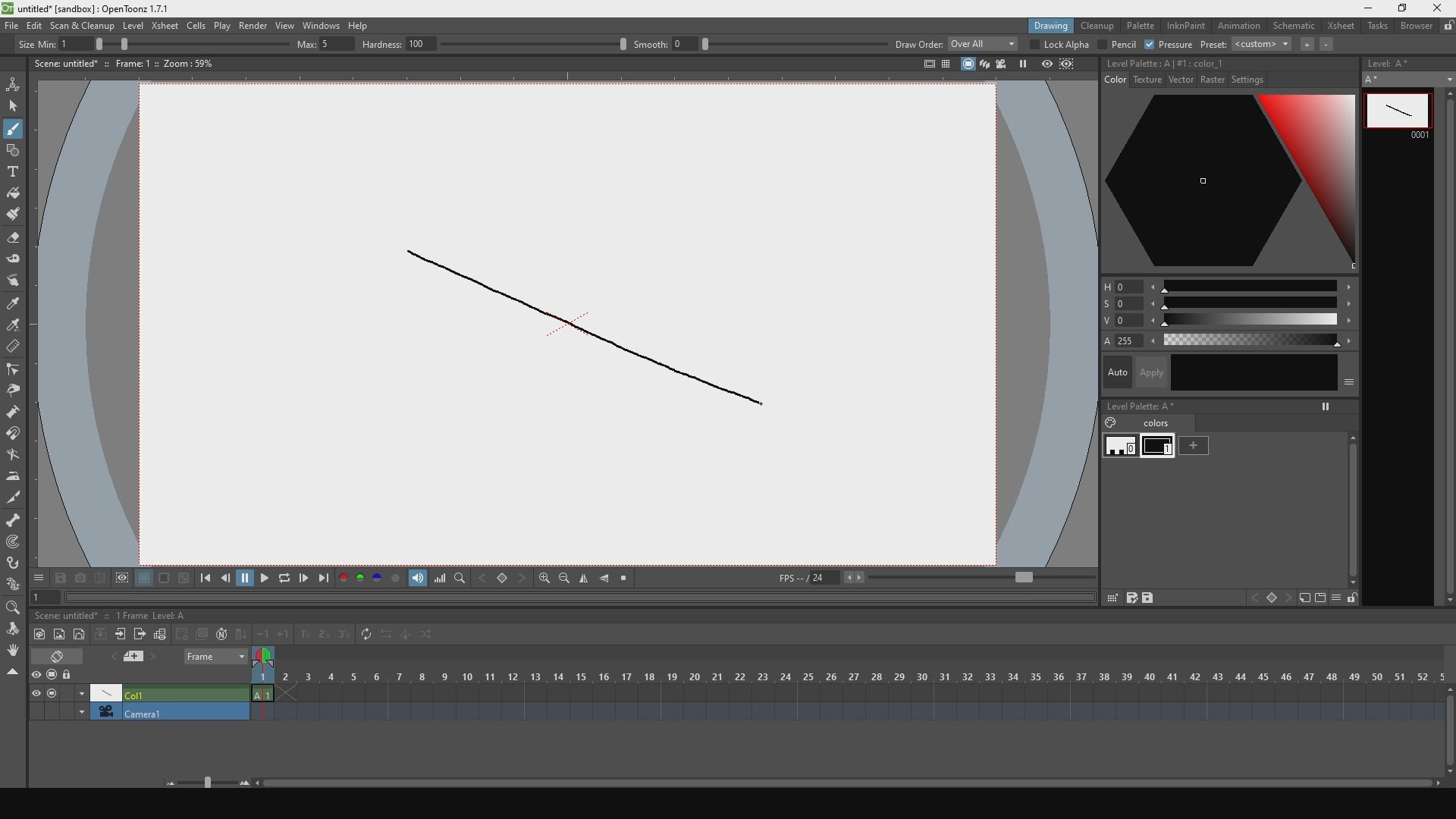 This screenshot has width=1456, height=819. What do you see at coordinates (162, 692) in the screenshot?
I see `Col1` at bounding box center [162, 692].